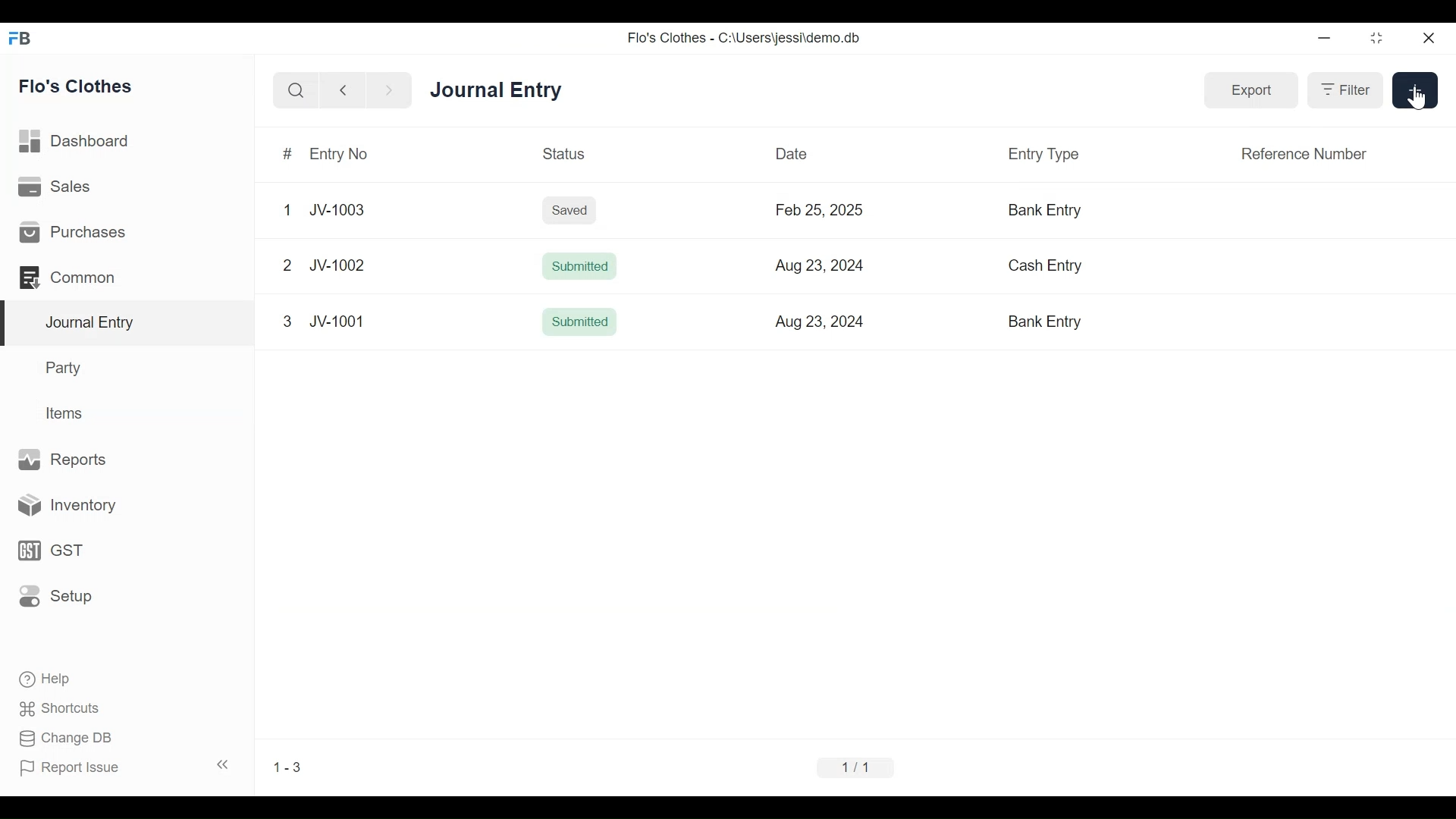 The height and width of the screenshot is (819, 1456). I want to click on Change DB, so click(64, 736).